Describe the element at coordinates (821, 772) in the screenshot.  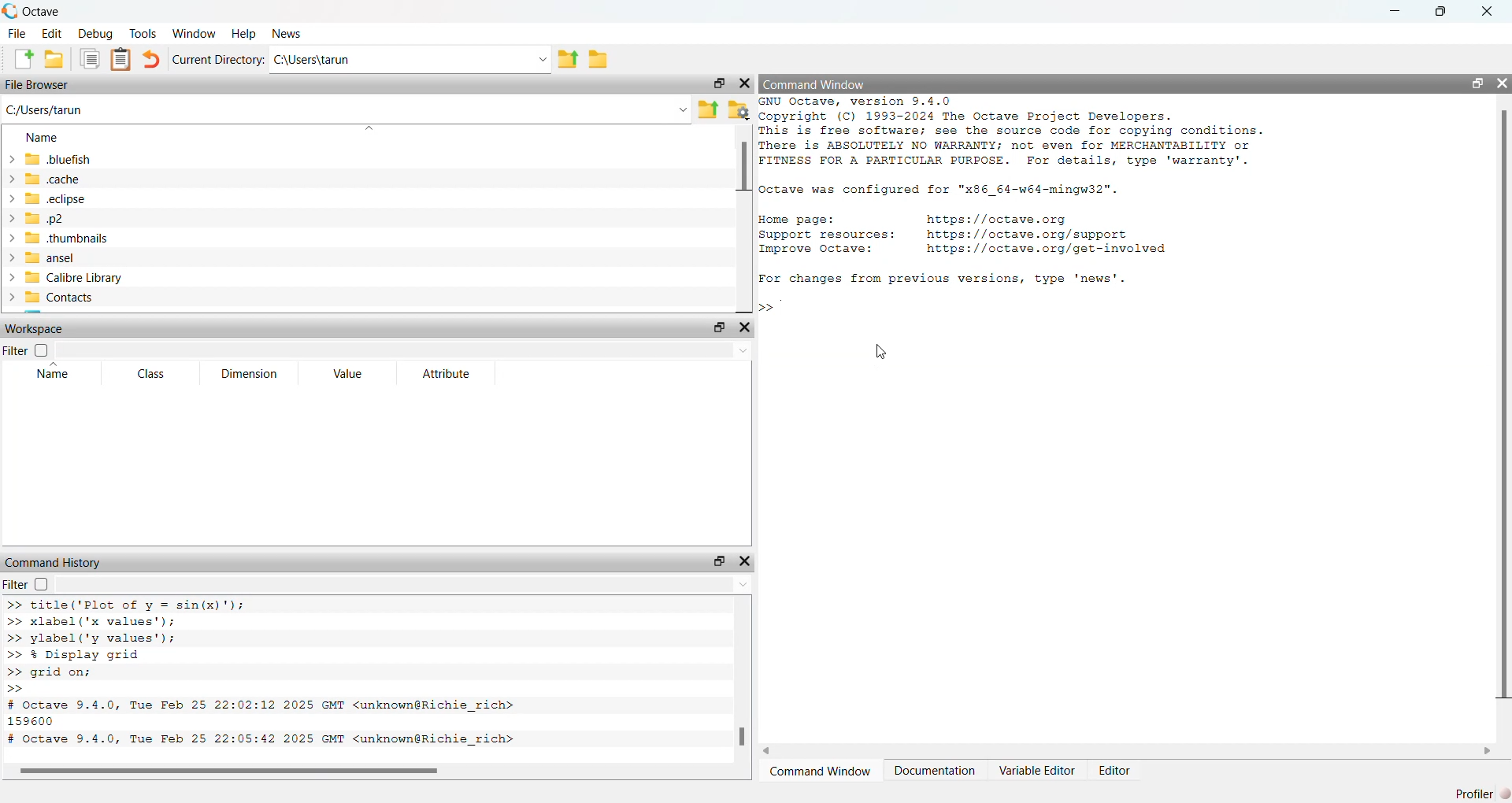
I see `Command Window` at that location.